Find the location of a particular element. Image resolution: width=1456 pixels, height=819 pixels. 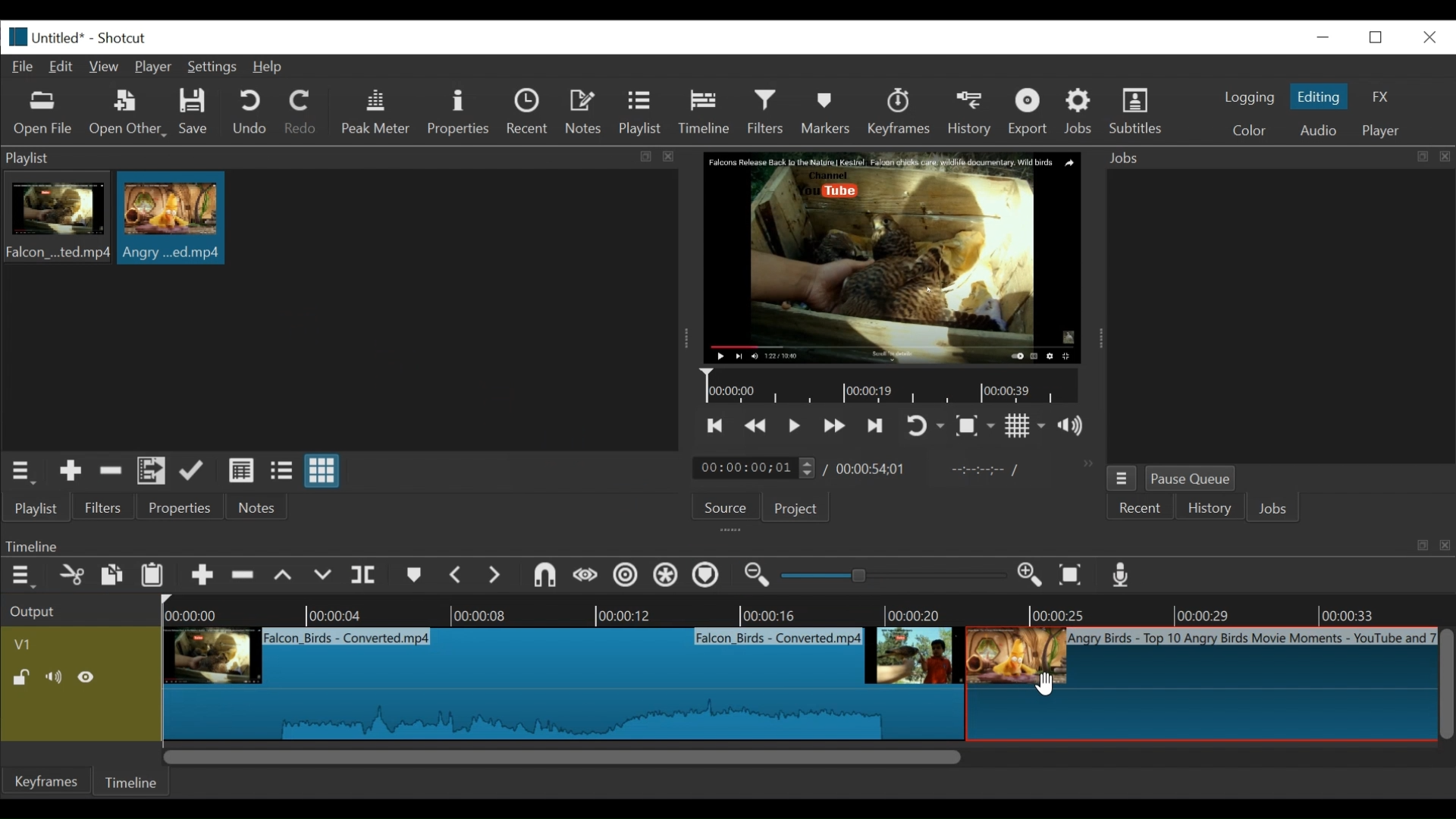

Open file is located at coordinates (43, 114).